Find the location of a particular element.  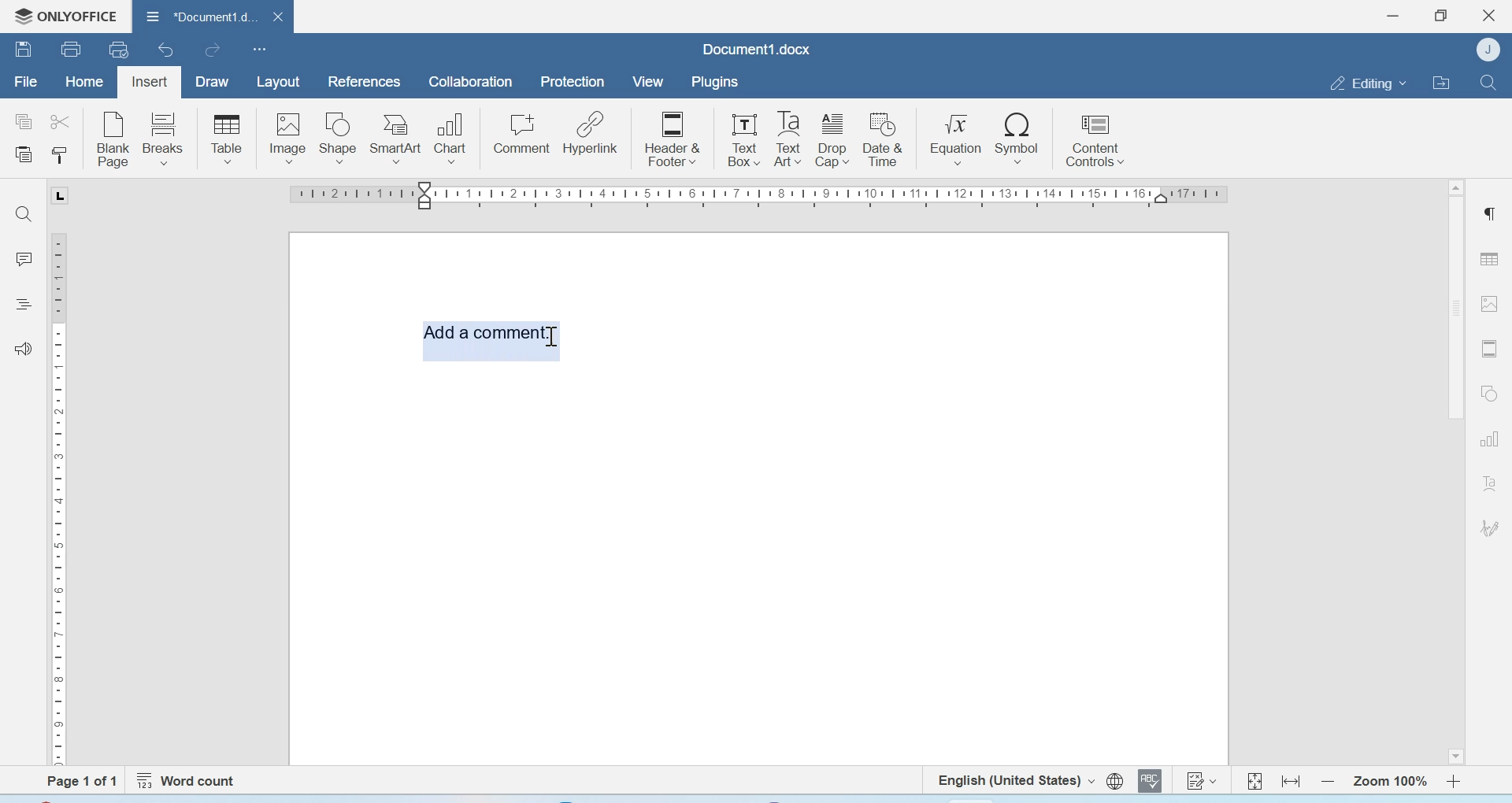

Redo is located at coordinates (211, 50).